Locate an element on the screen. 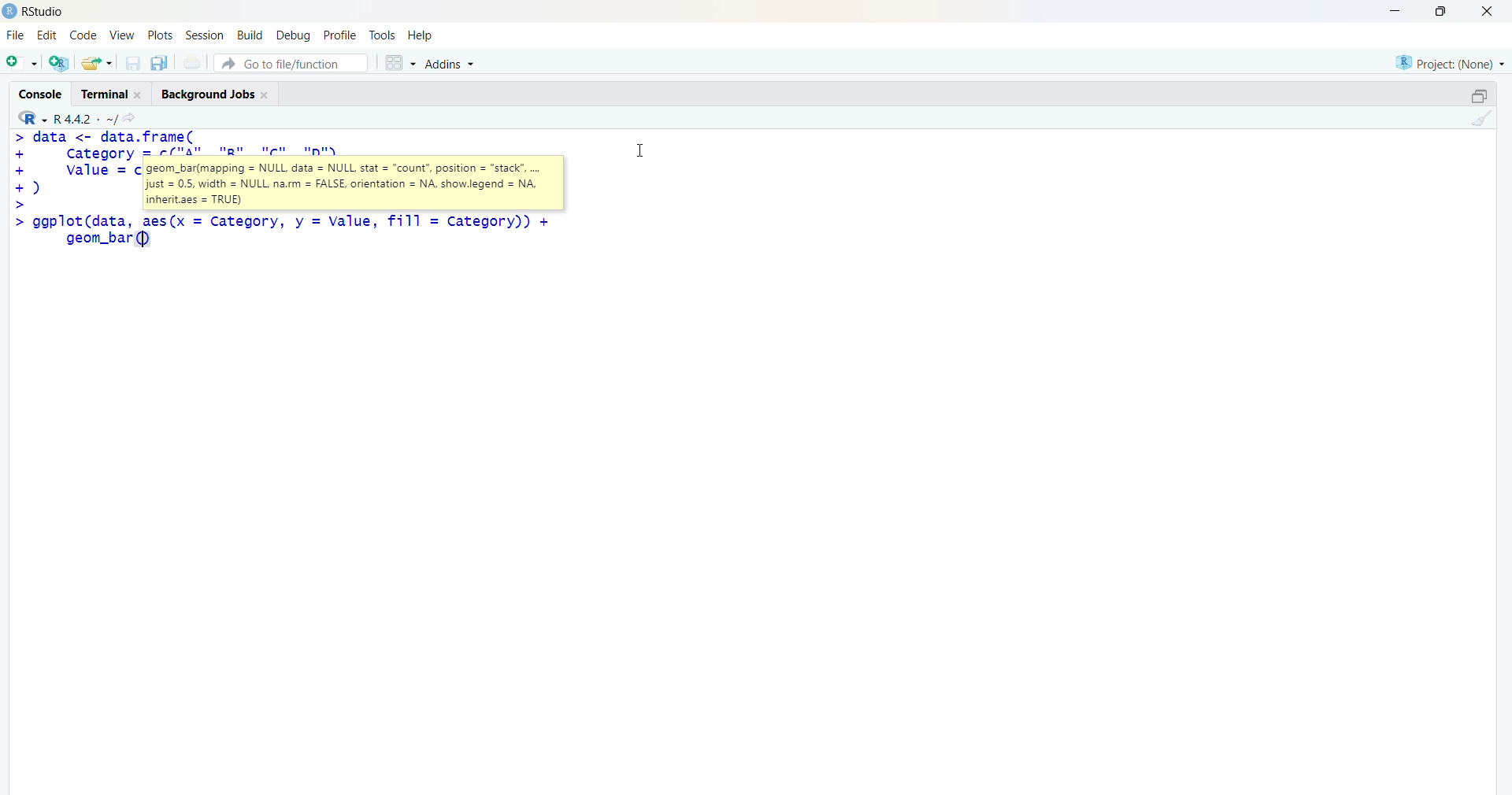 This screenshot has height=795, width=1512. help is located at coordinates (423, 35).